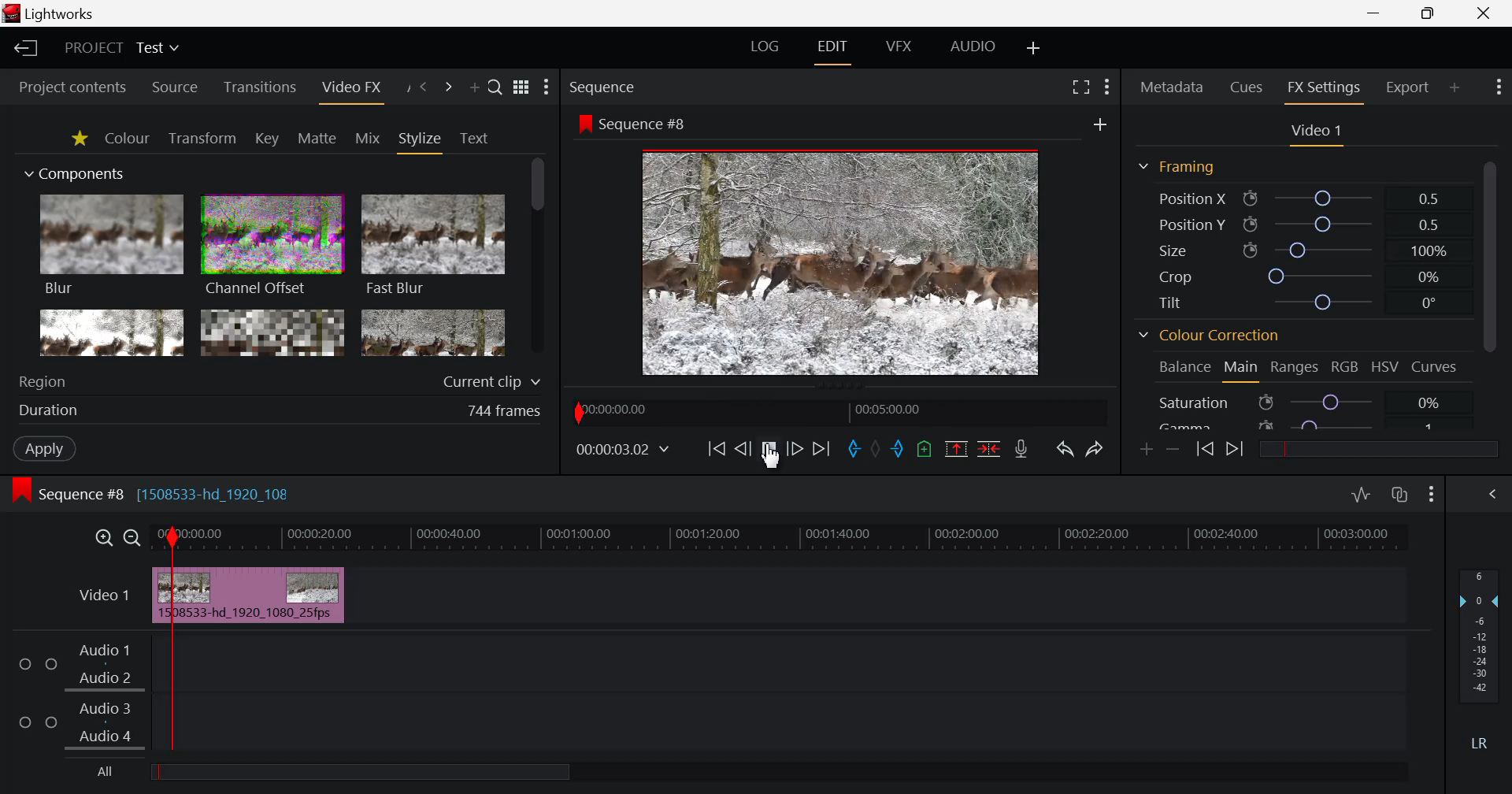 Image resolution: width=1512 pixels, height=794 pixels. What do you see at coordinates (855, 449) in the screenshot?
I see `Mark In` at bounding box center [855, 449].